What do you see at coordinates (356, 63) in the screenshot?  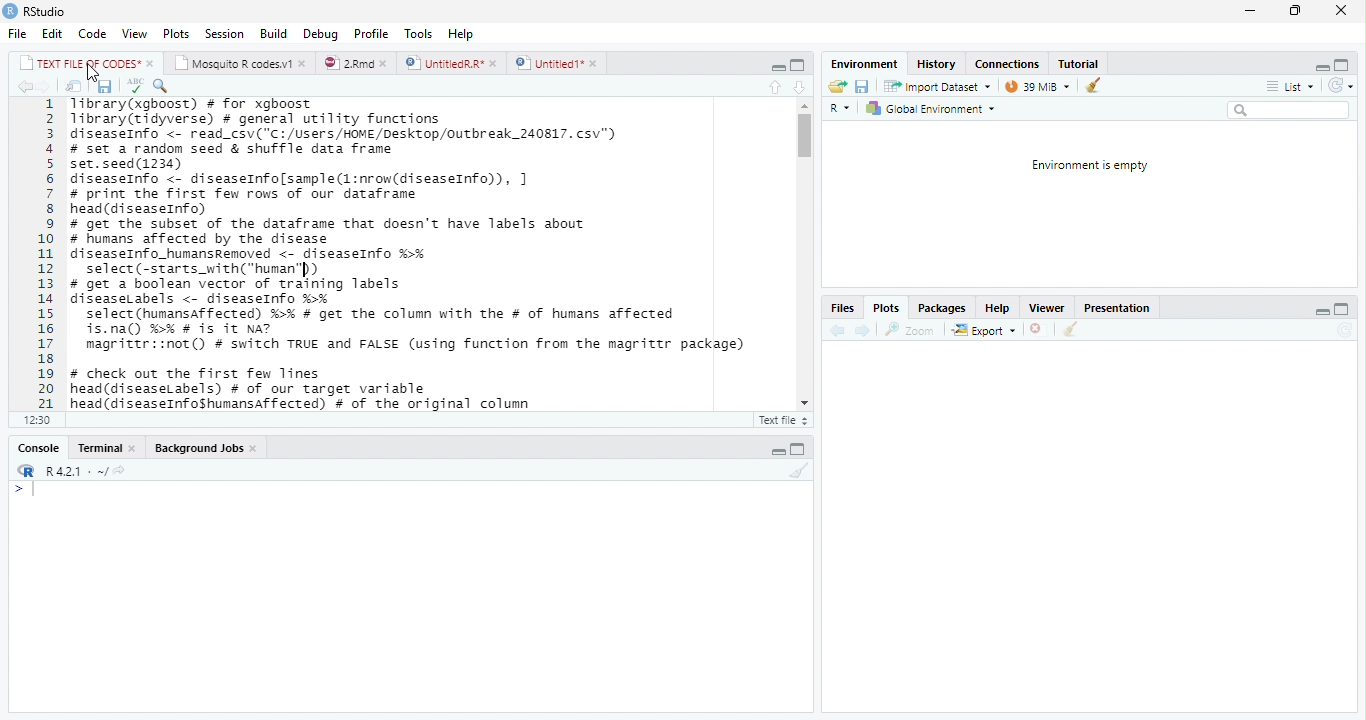 I see `2.Rmd` at bounding box center [356, 63].